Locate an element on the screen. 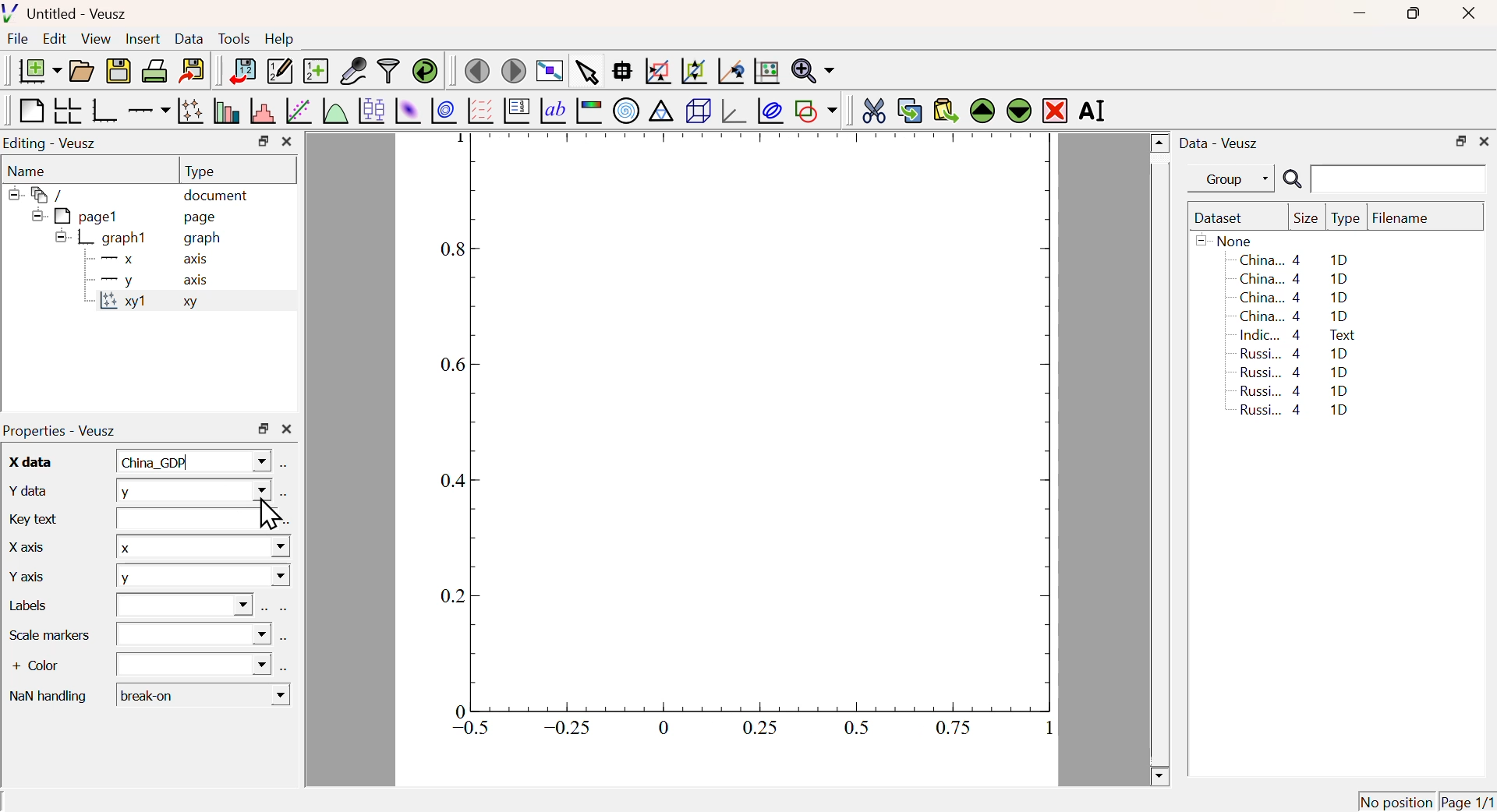  Save is located at coordinates (119, 72).